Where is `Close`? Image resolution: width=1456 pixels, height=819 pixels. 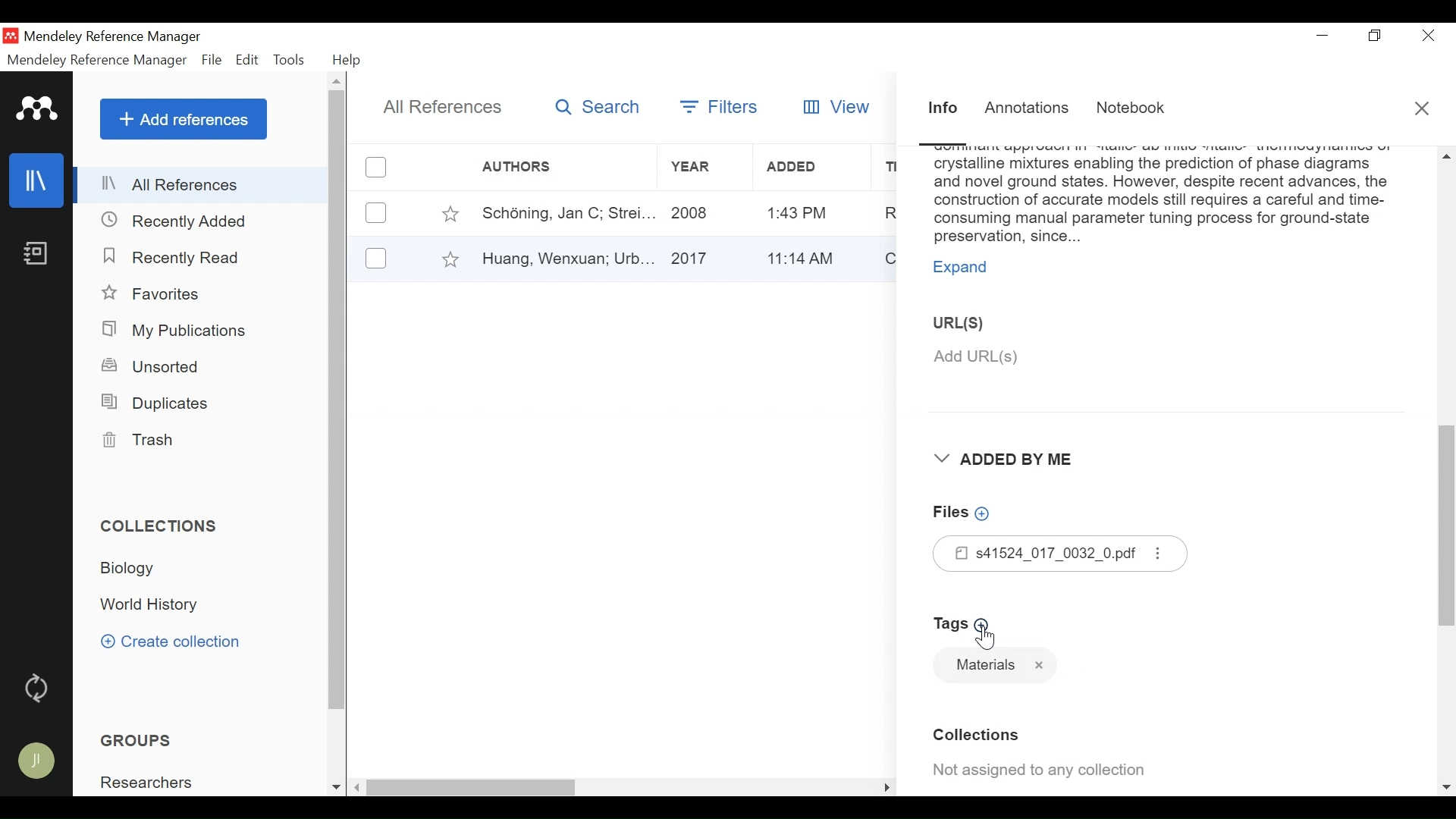 Close is located at coordinates (1430, 35).